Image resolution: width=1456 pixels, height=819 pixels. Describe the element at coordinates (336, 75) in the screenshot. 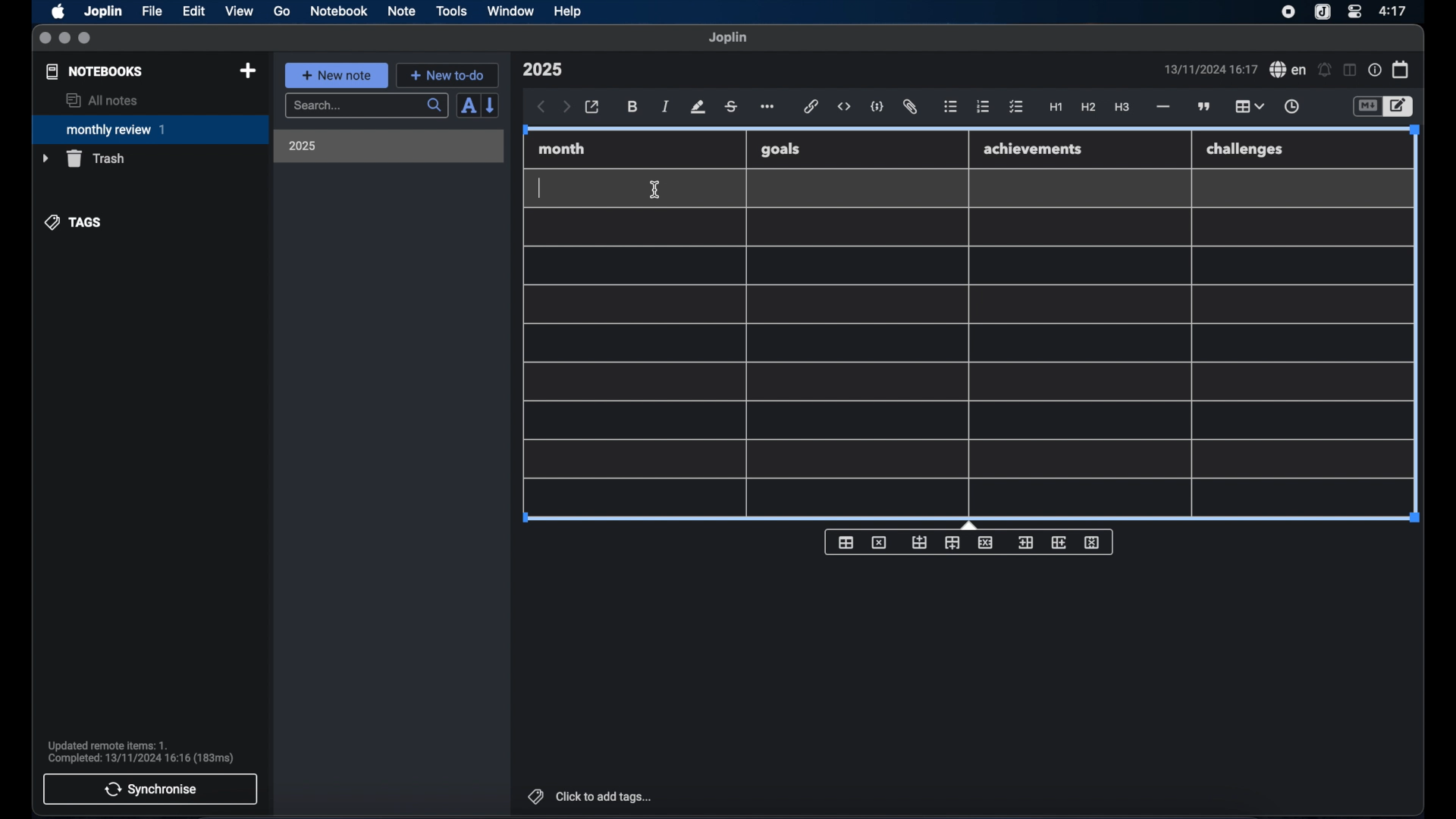

I see `new note` at that location.